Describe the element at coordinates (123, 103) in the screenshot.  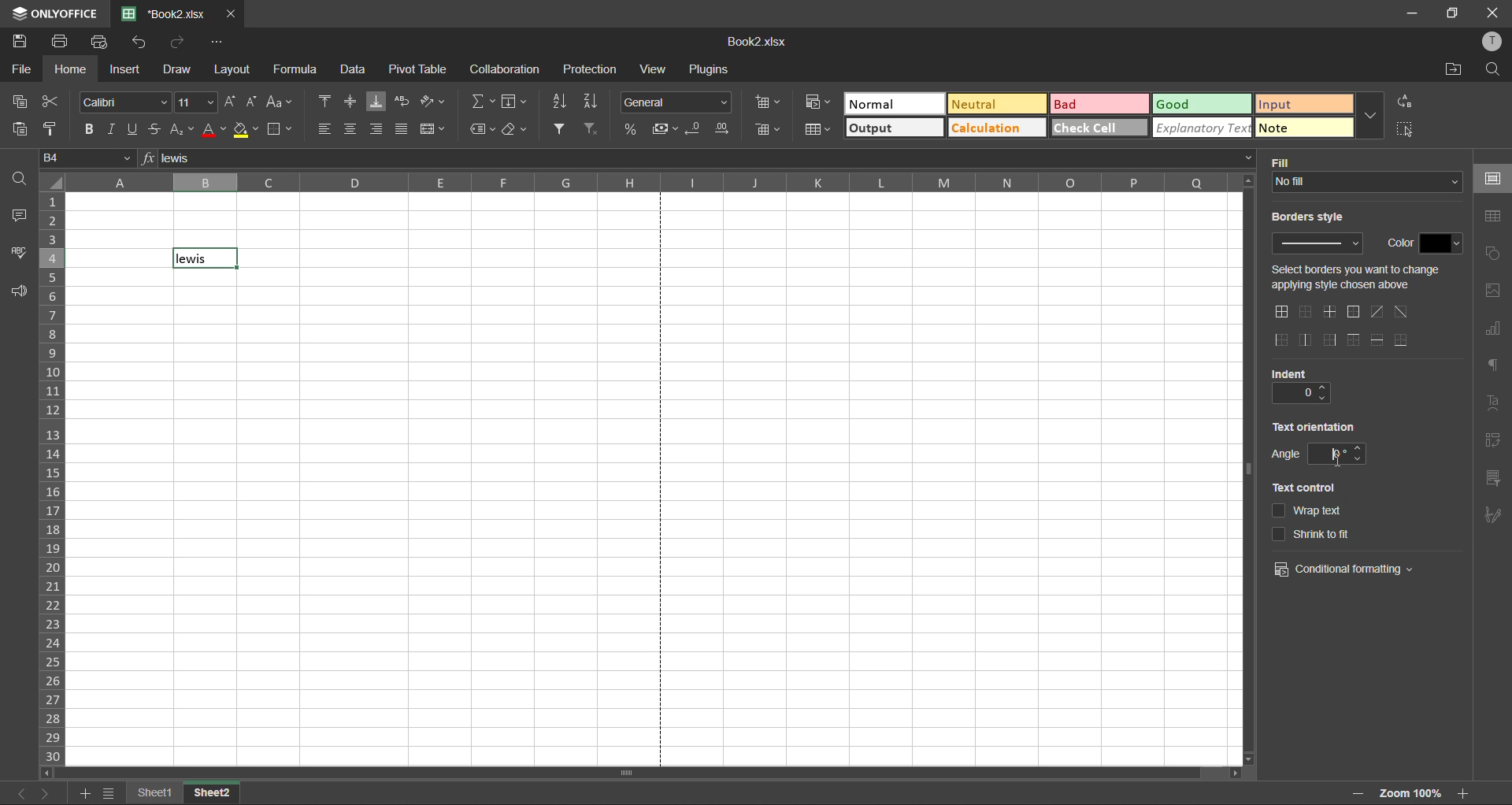
I see `font style` at that location.